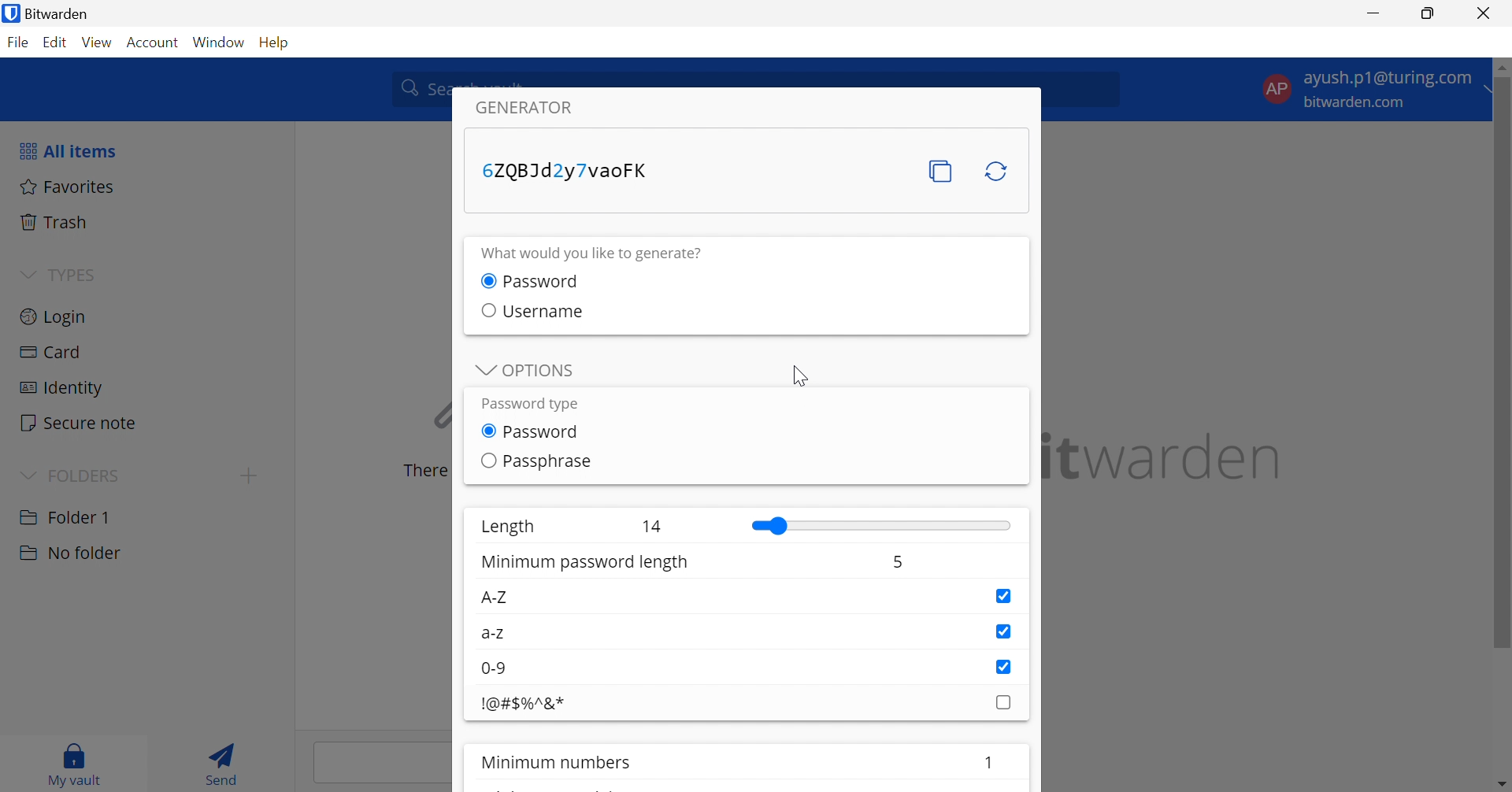  Describe the element at coordinates (528, 404) in the screenshot. I see `Password type` at that location.